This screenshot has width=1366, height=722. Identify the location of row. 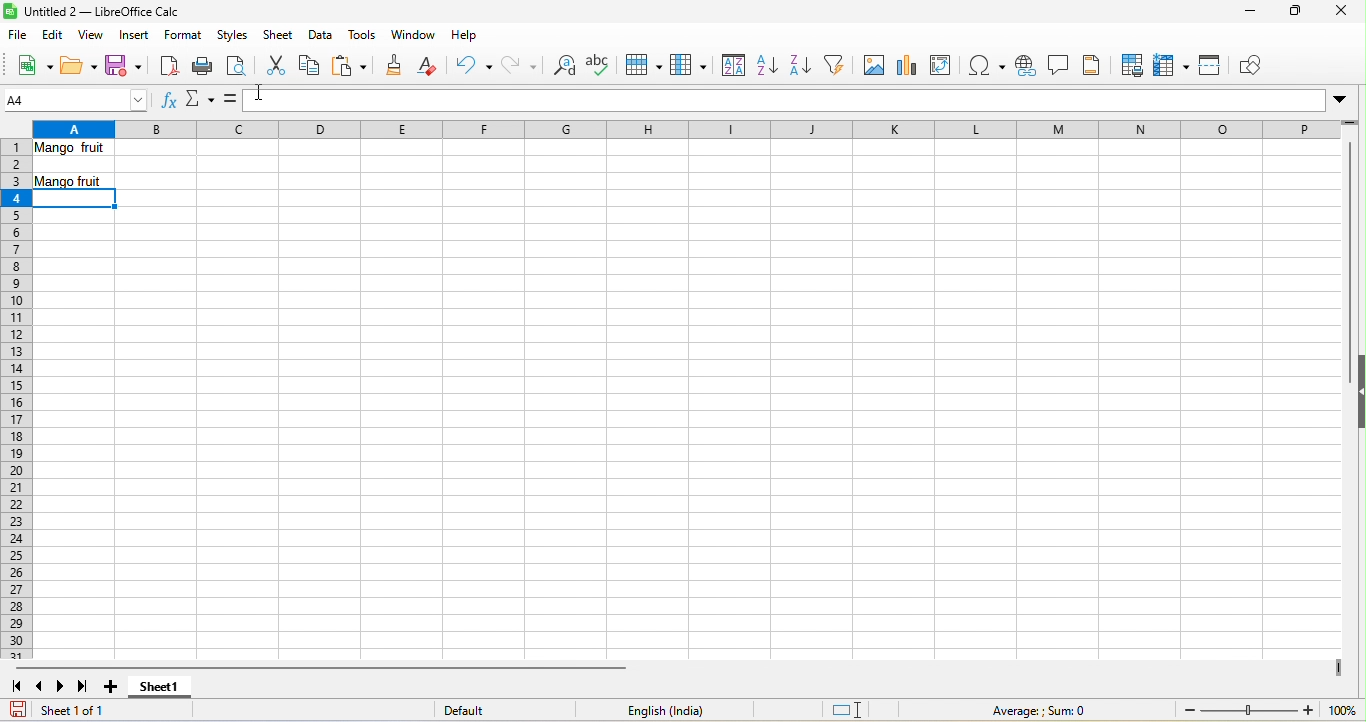
(642, 67).